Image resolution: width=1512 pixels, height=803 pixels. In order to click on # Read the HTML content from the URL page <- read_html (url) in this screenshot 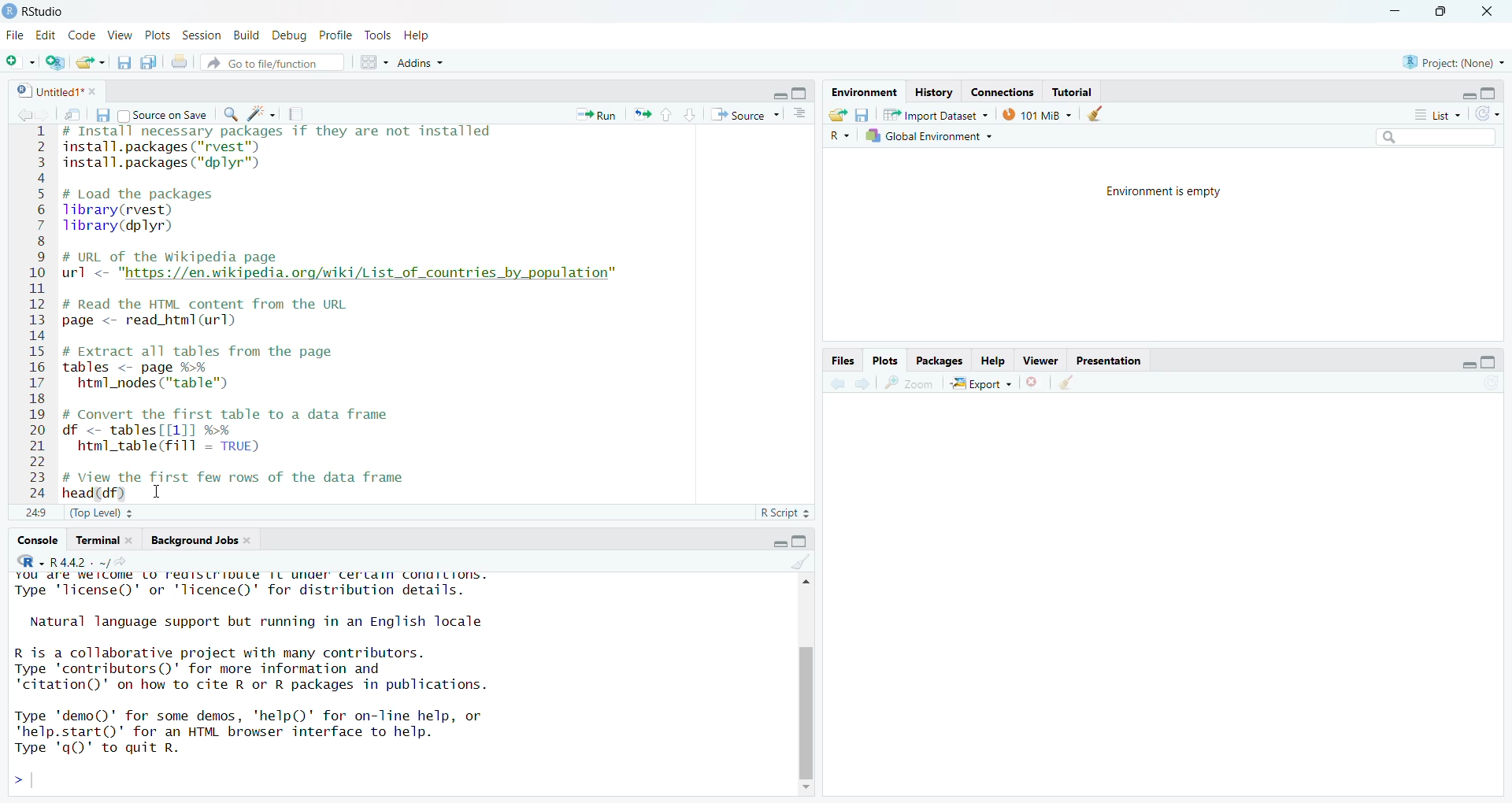, I will do `click(215, 313)`.